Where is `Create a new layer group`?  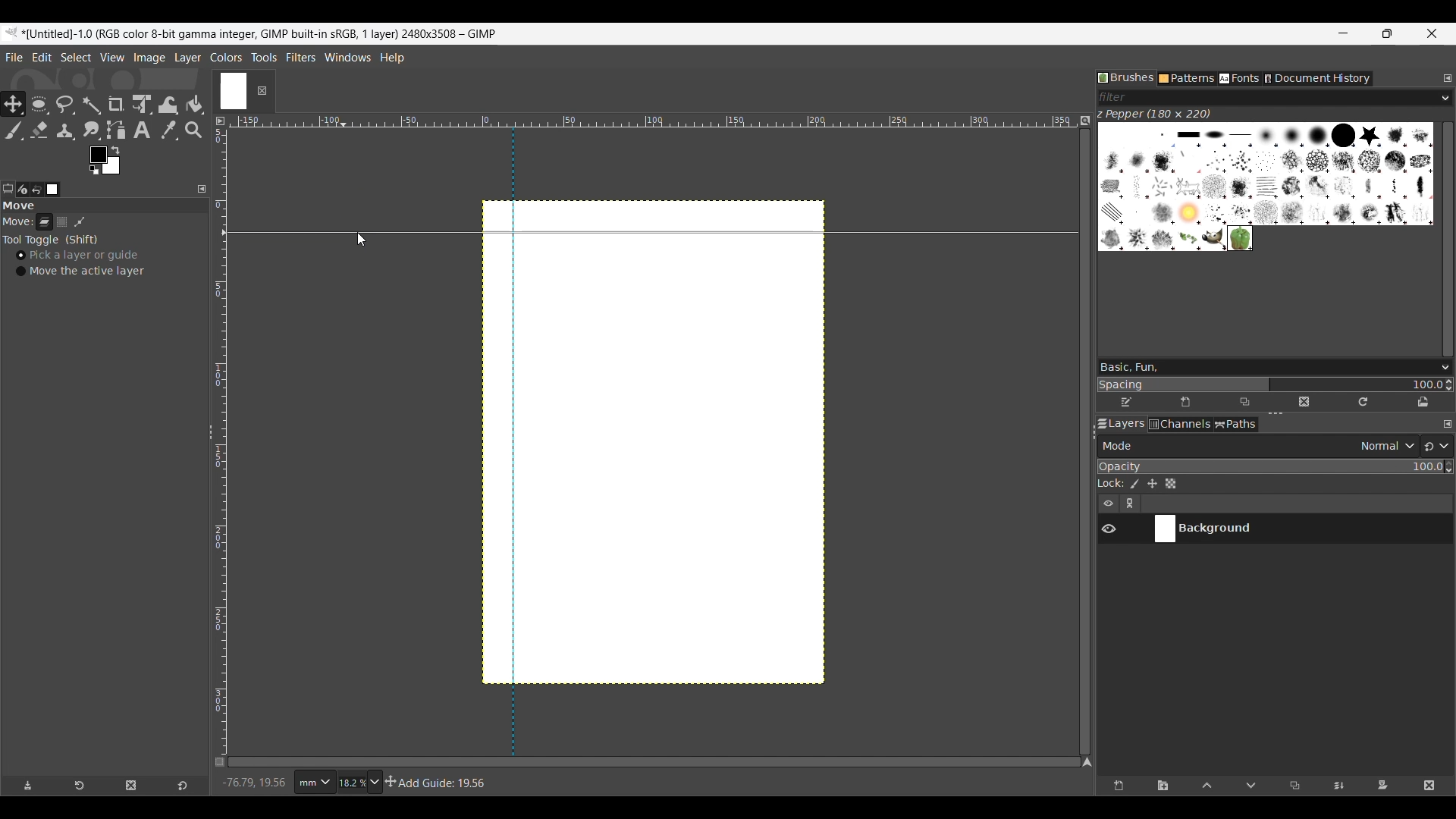 Create a new layer group is located at coordinates (1164, 786).